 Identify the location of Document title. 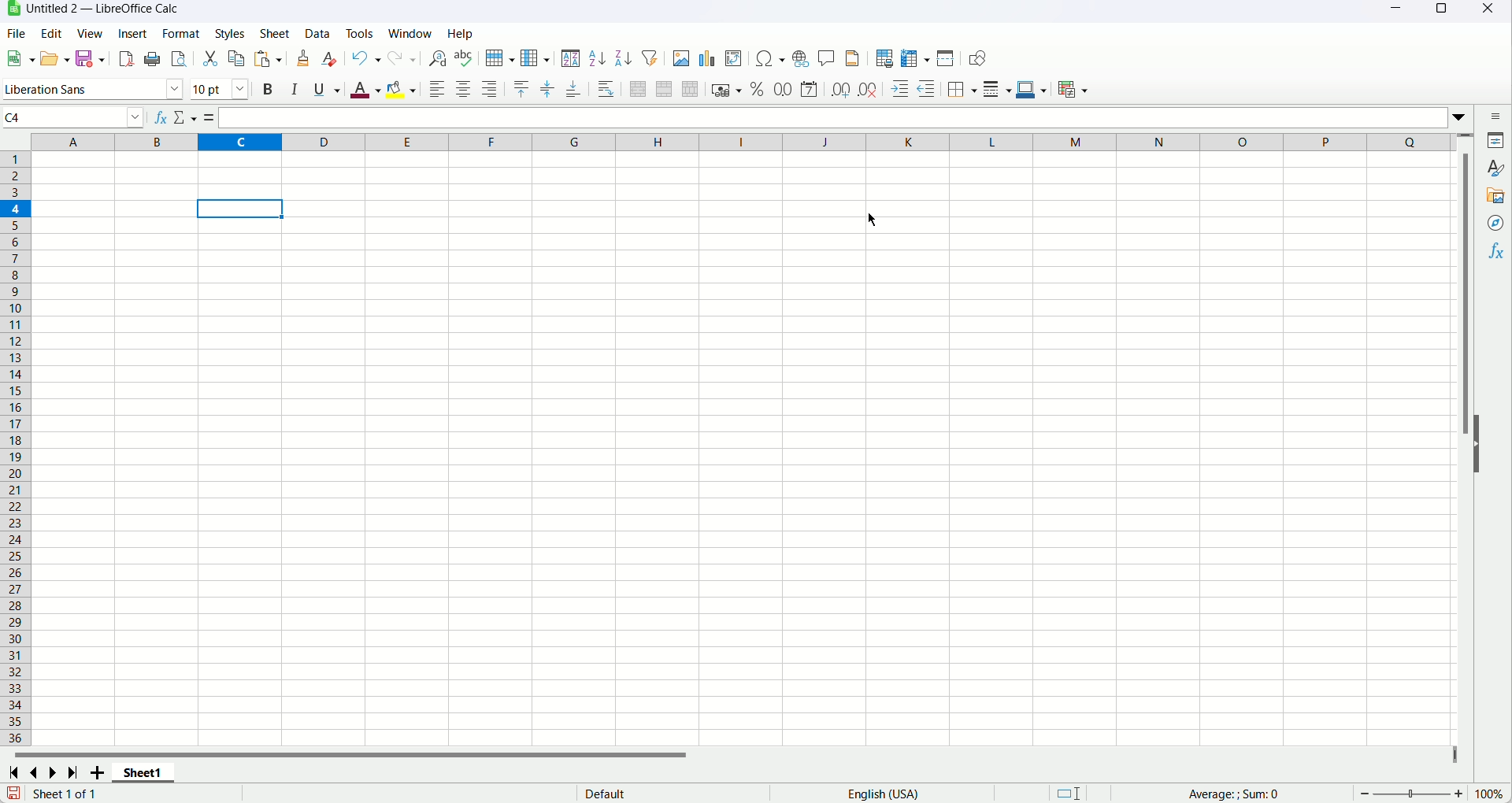
(105, 9).